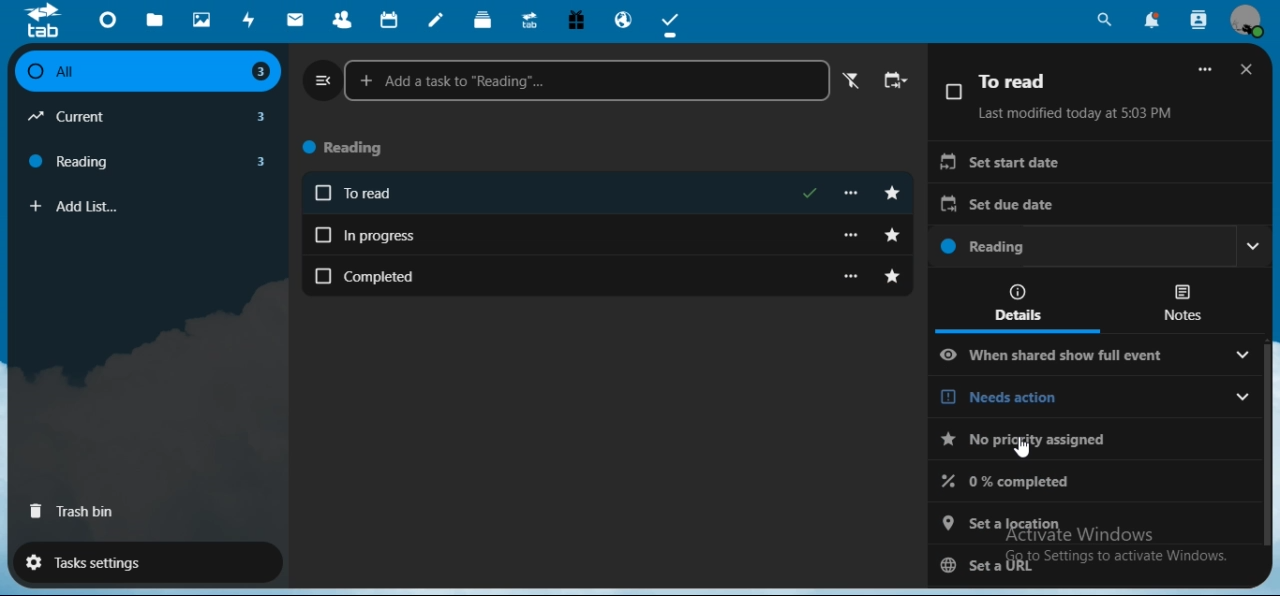 This screenshot has width=1280, height=596. Describe the element at coordinates (297, 20) in the screenshot. I see `mail` at that location.